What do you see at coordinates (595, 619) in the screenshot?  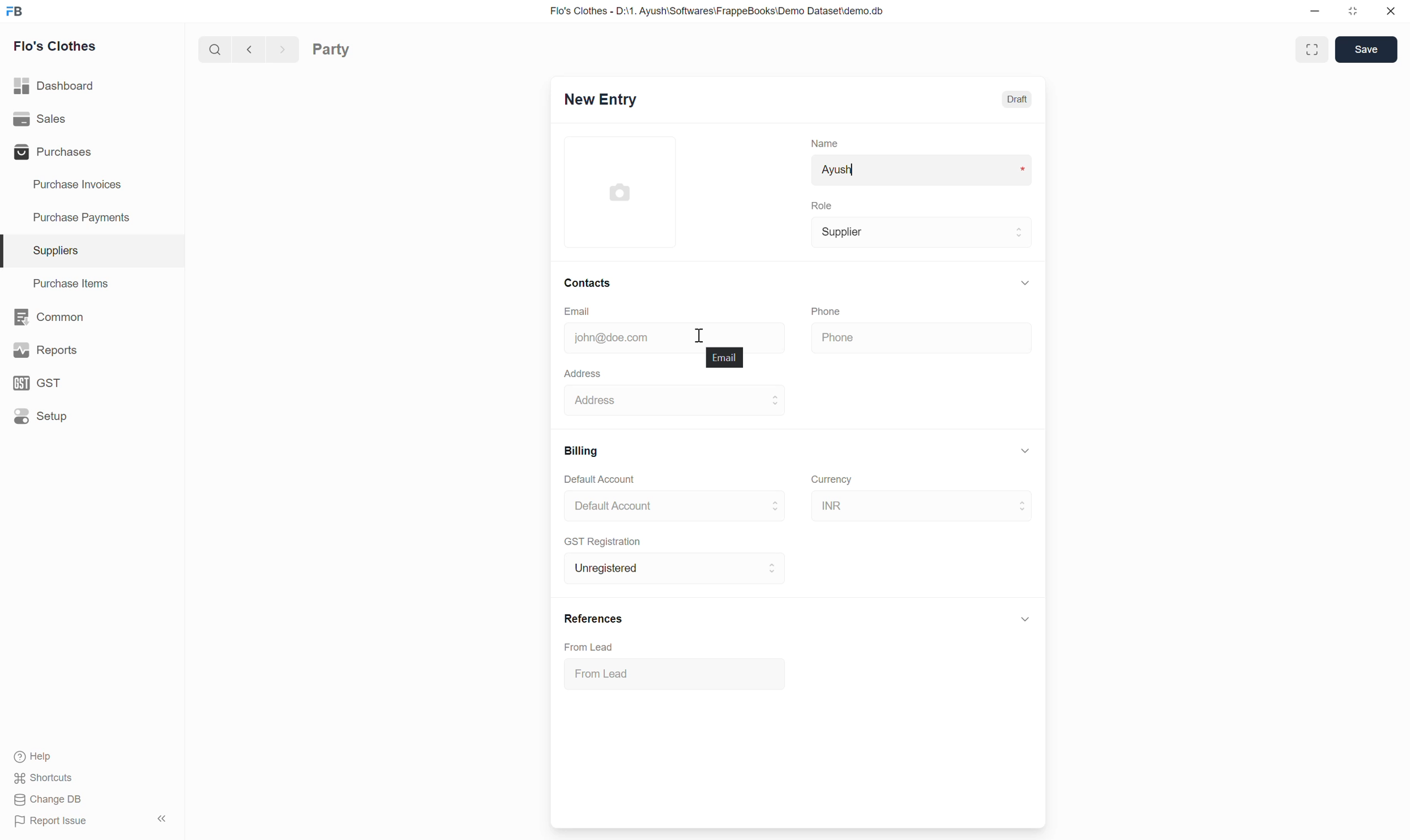 I see `References` at bounding box center [595, 619].